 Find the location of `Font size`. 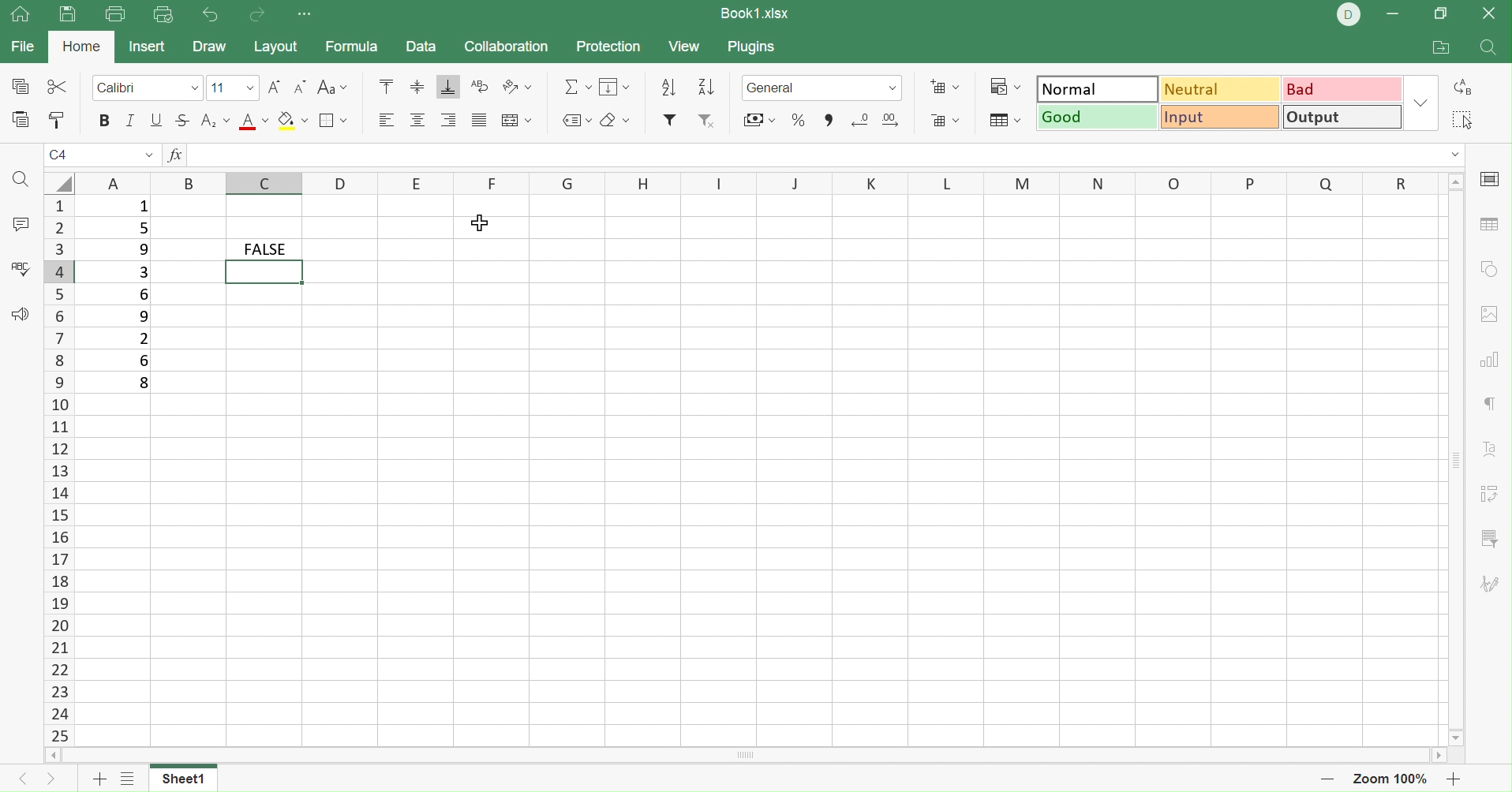

Font size is located at coordinates (232, 88).